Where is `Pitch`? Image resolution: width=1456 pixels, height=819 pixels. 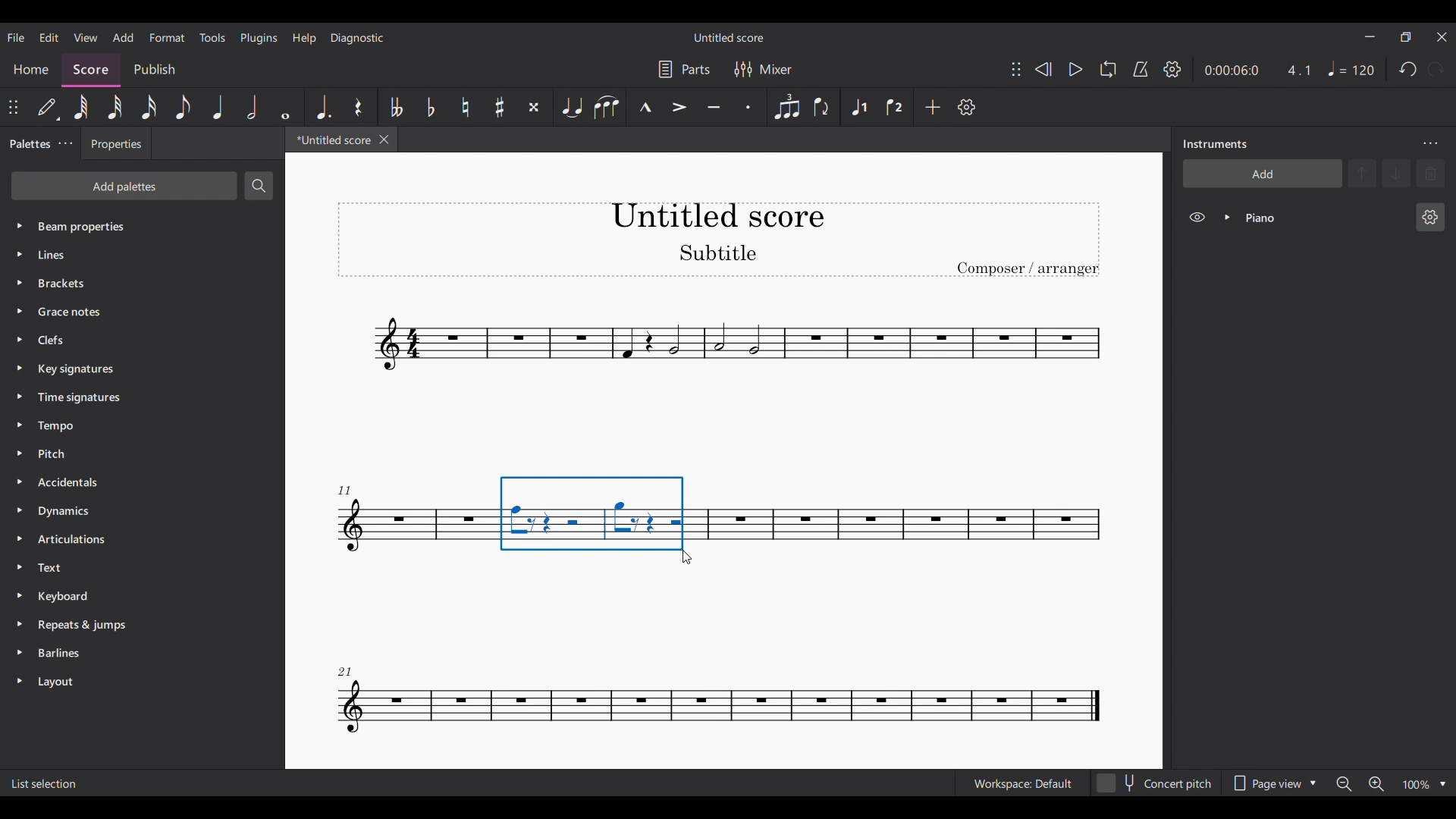 Pitch is located at coordinates (129, 453).